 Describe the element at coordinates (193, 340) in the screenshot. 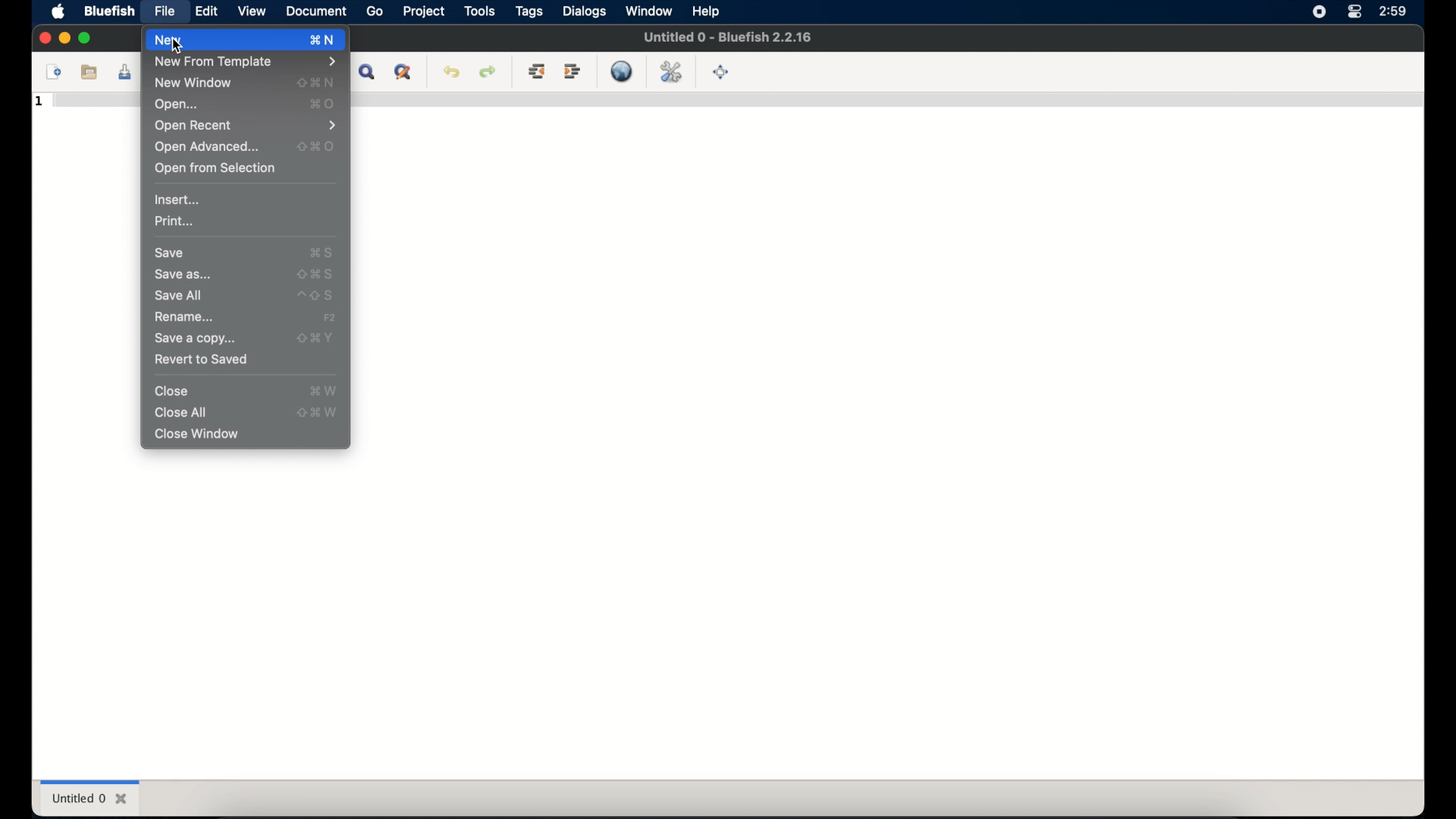

I see `save a copy` at that location.